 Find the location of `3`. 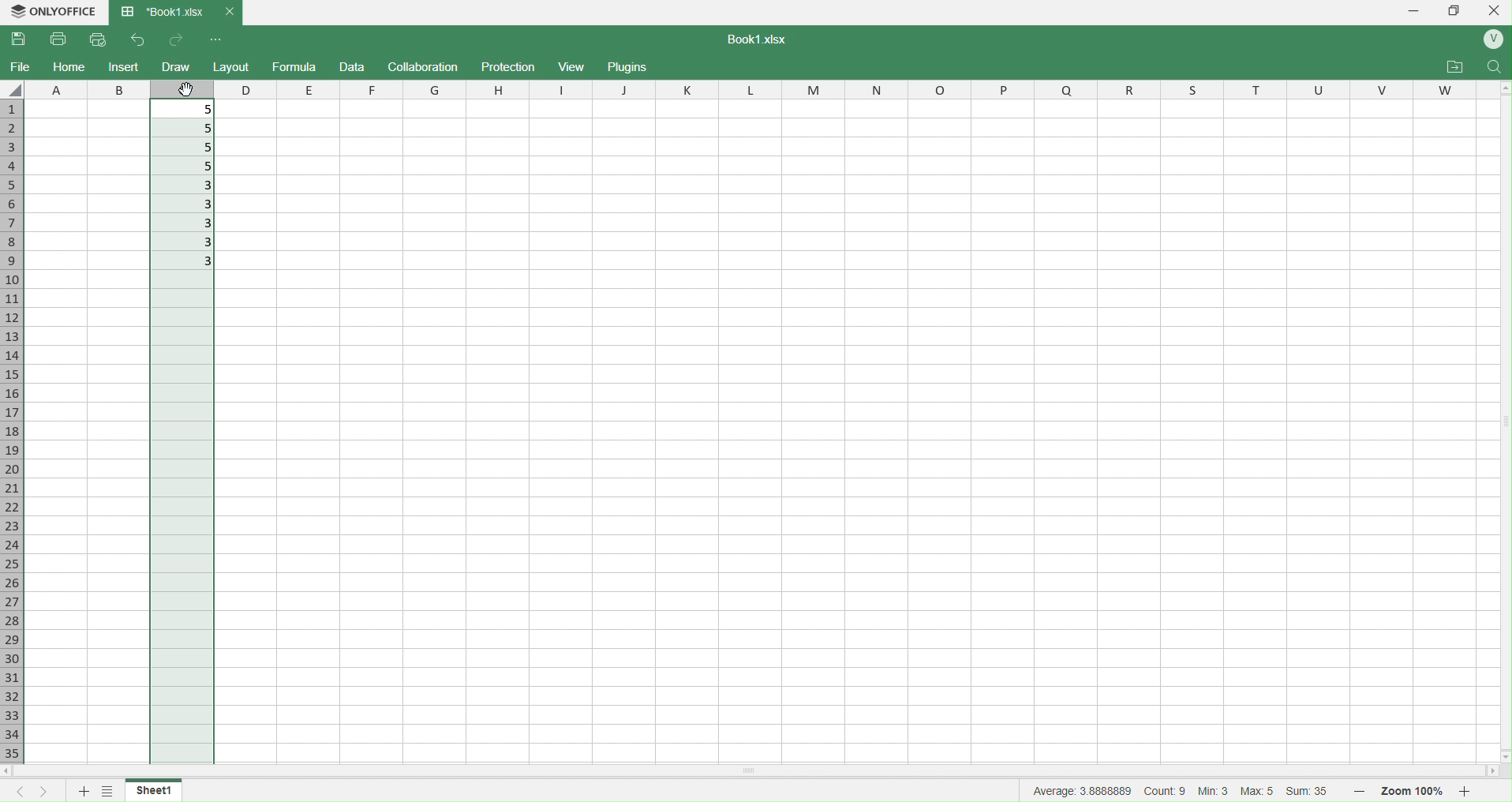

3 is located at coordinates (185, 224).